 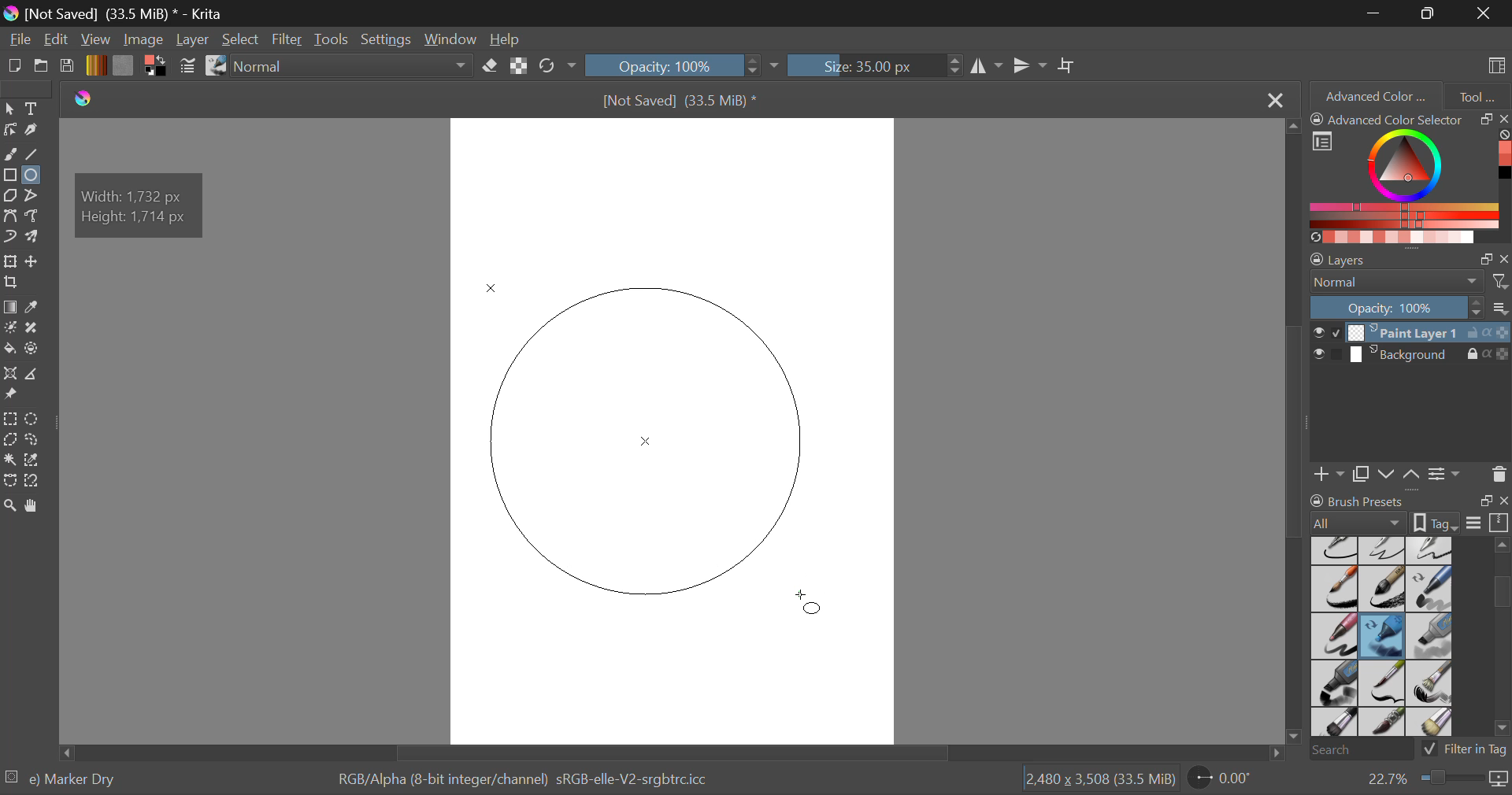 I want to click on [Not Saved] (33.5 MiB) *, so click(x=686, y=100).